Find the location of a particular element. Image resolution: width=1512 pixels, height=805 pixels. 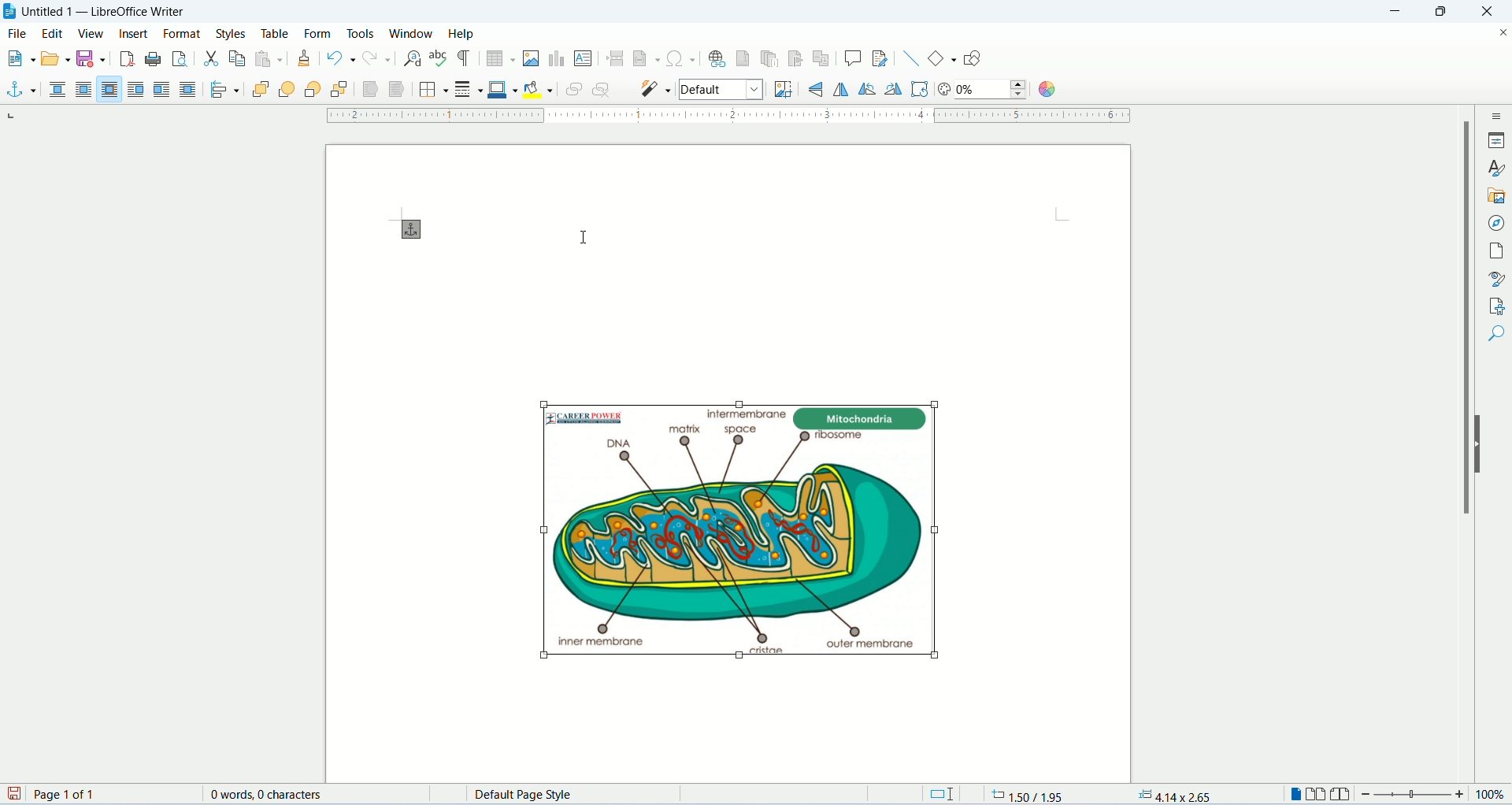

crop image is located at coordinates (780, 89).